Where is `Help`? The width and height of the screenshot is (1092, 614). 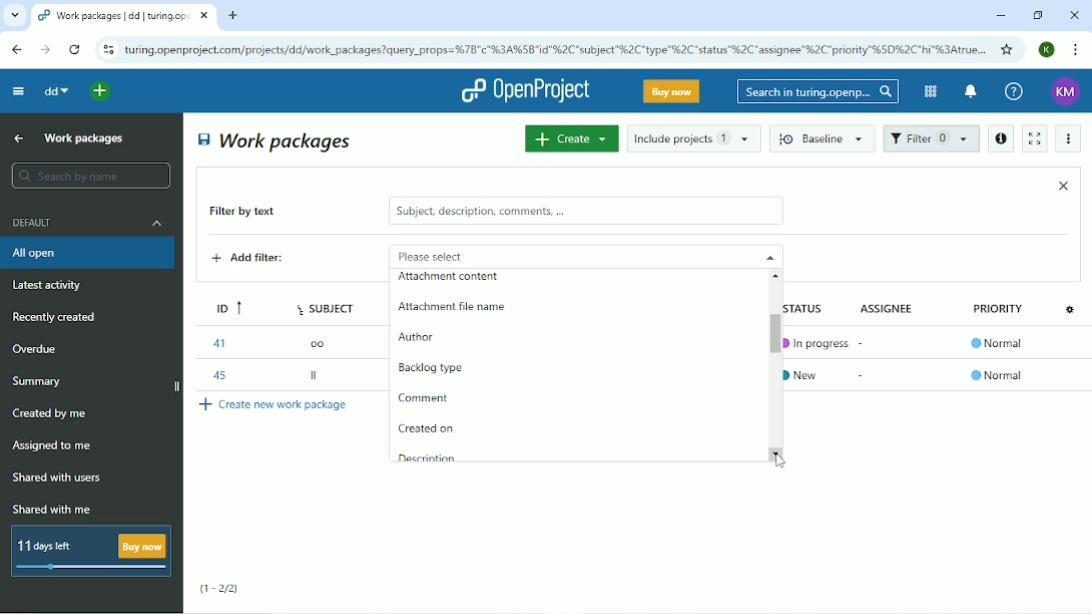 Help is located at coordinates (1014, 92).